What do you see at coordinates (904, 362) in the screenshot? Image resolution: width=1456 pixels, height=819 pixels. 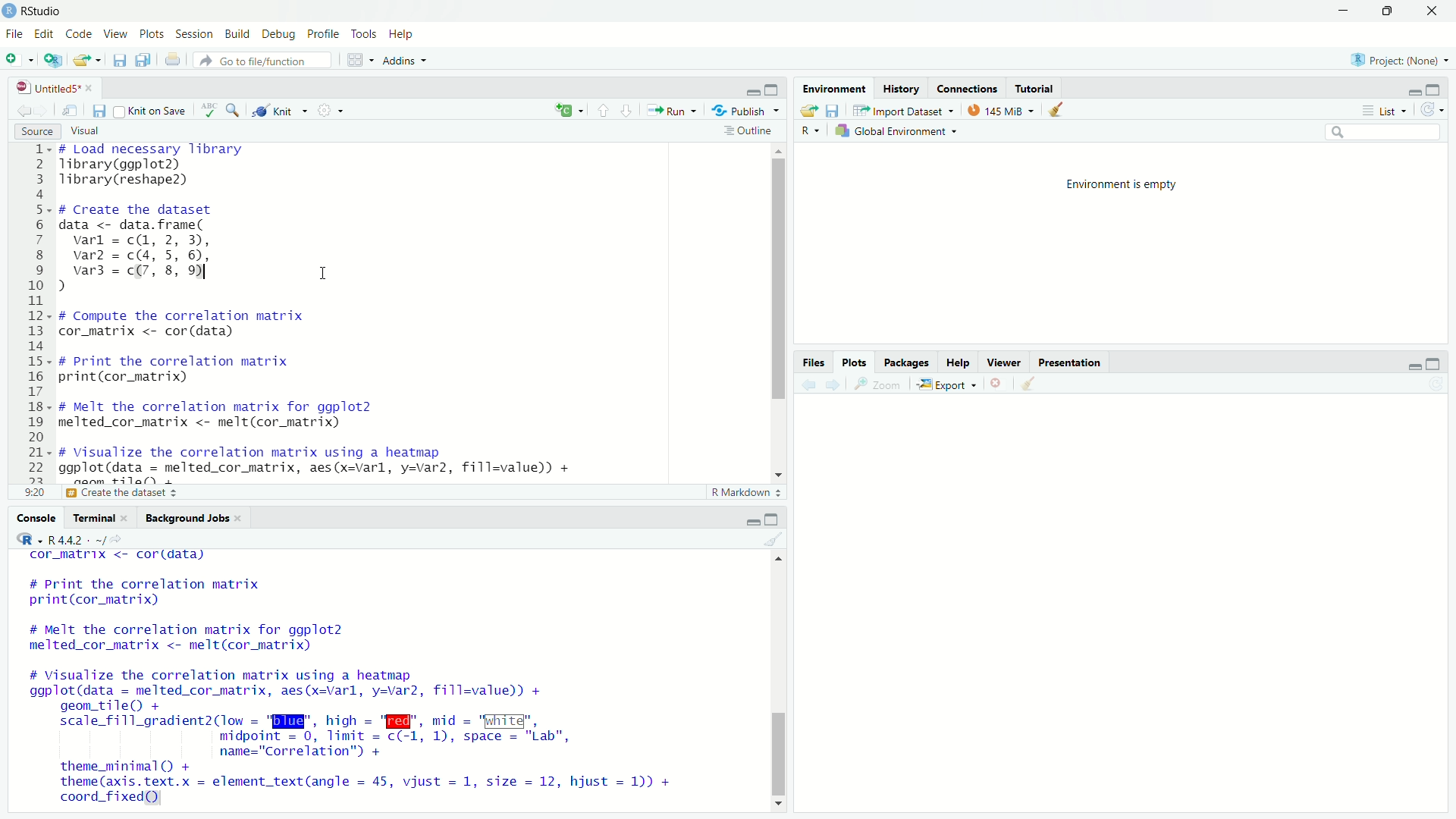 I see `packages` at bounding box center [904, 362].